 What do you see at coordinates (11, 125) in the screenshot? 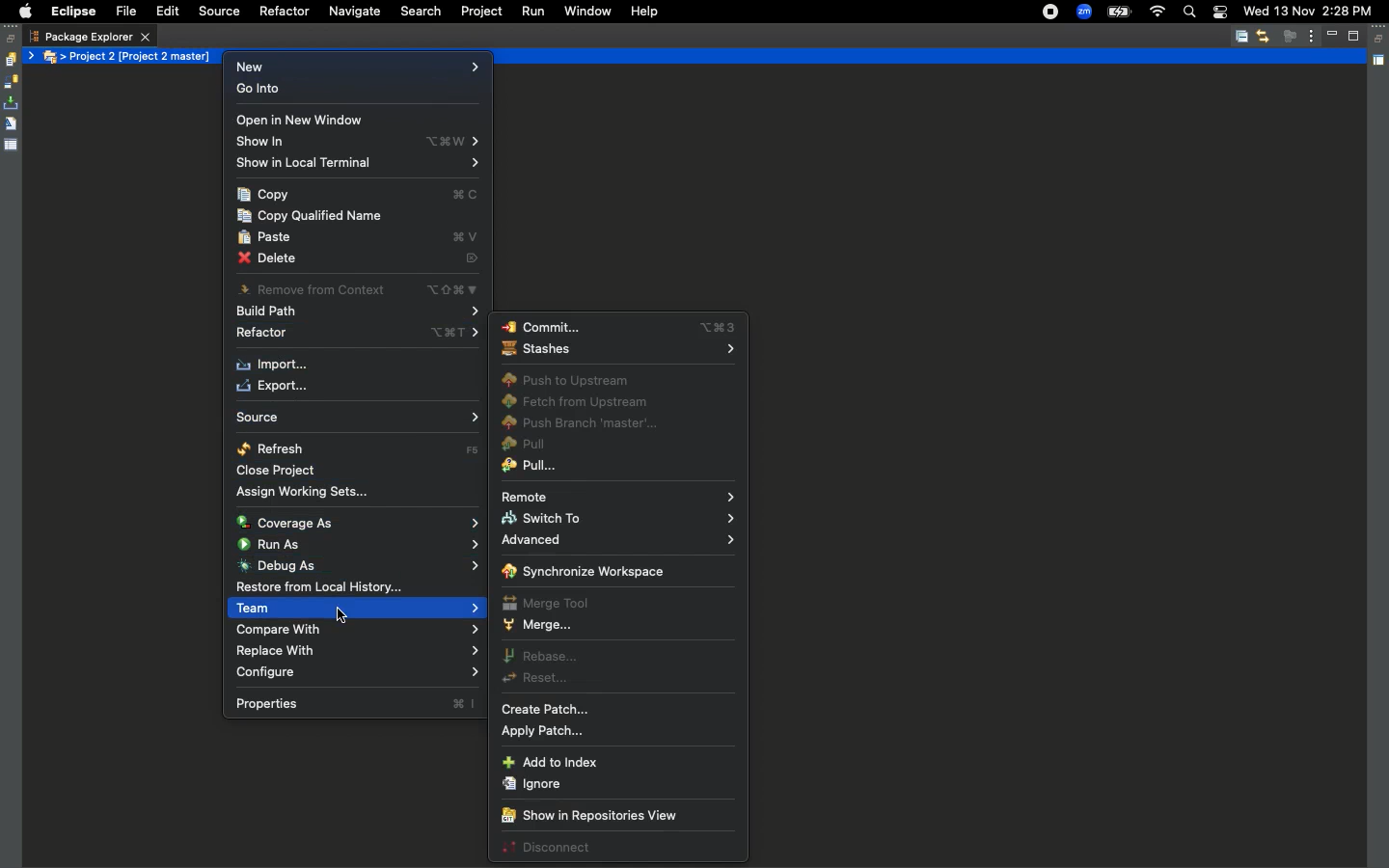
I see `Git reflog` at bounding box center [11, 125].